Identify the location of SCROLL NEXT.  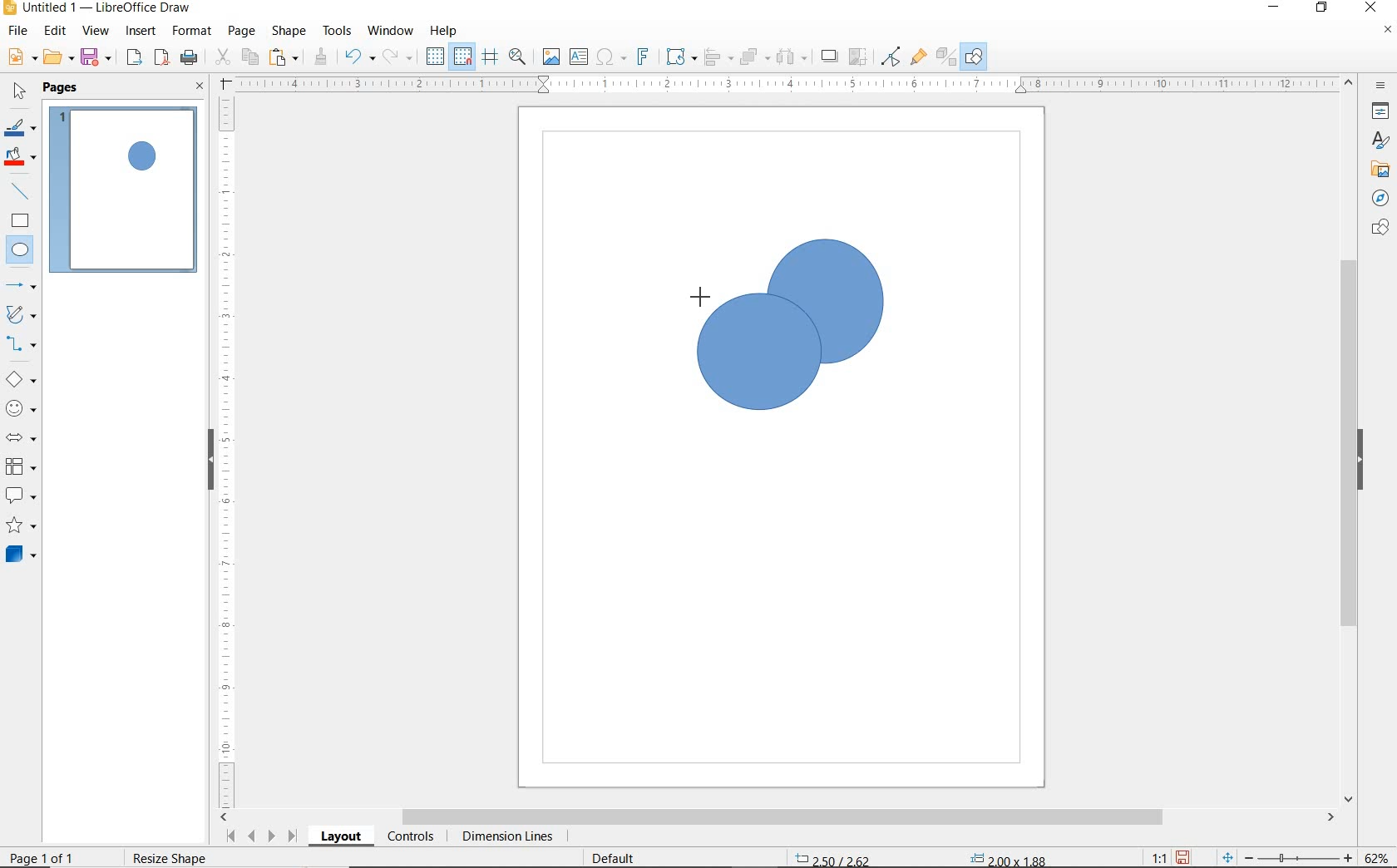
(259, 836).